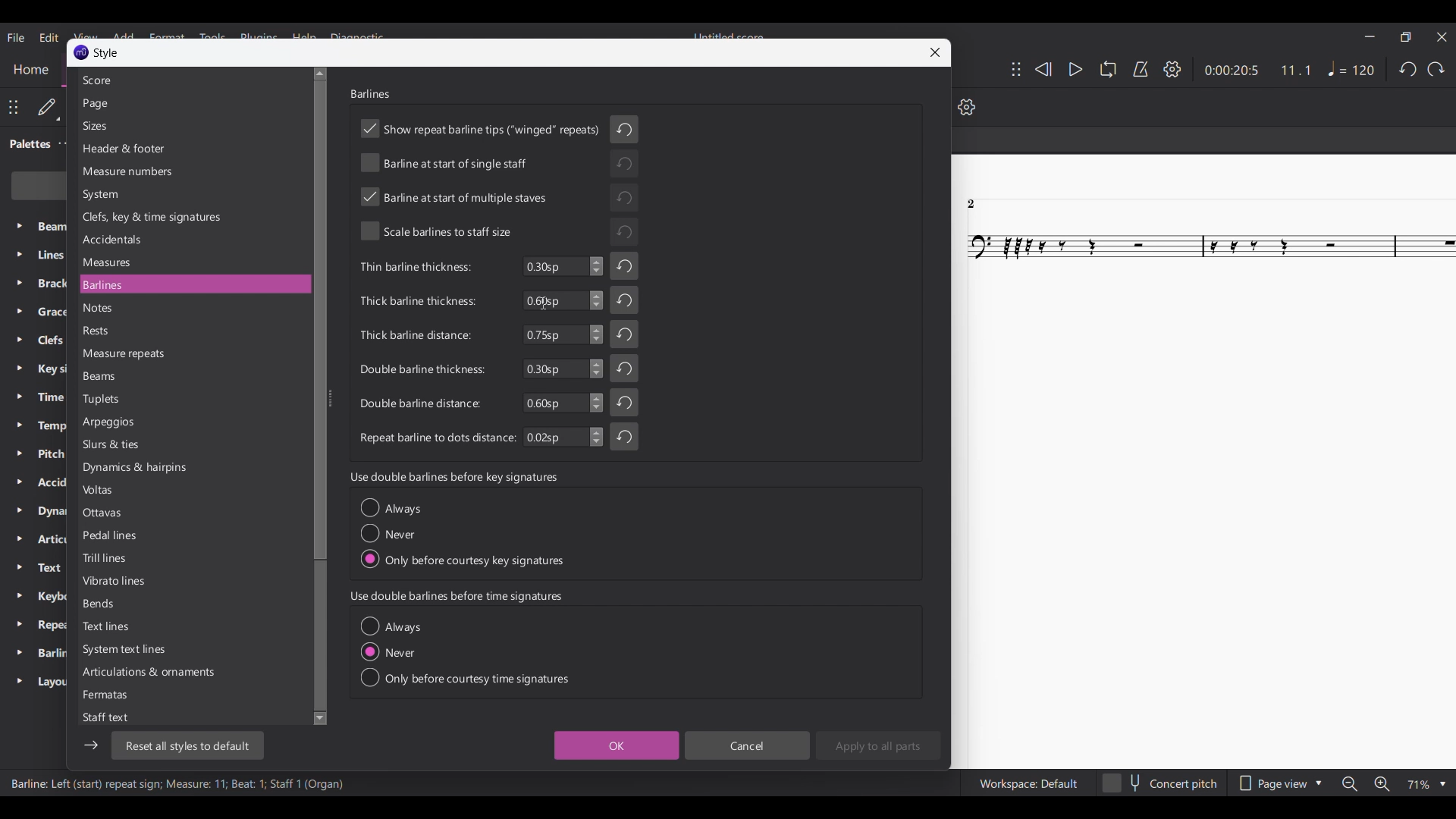  I want to click on Metronome, so click(1141, 69).